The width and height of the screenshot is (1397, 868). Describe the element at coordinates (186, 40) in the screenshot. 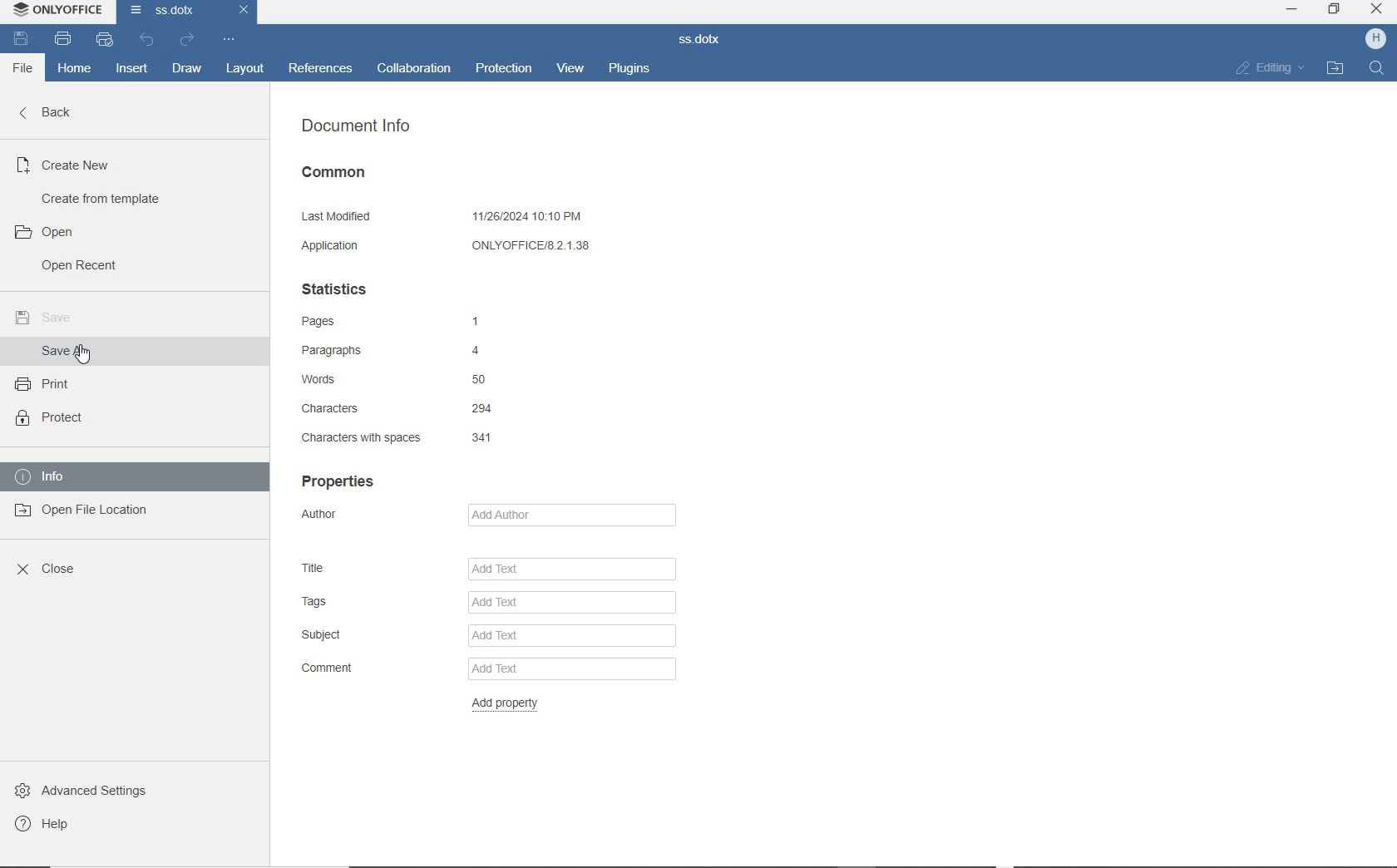

I see `REDO` at that location.